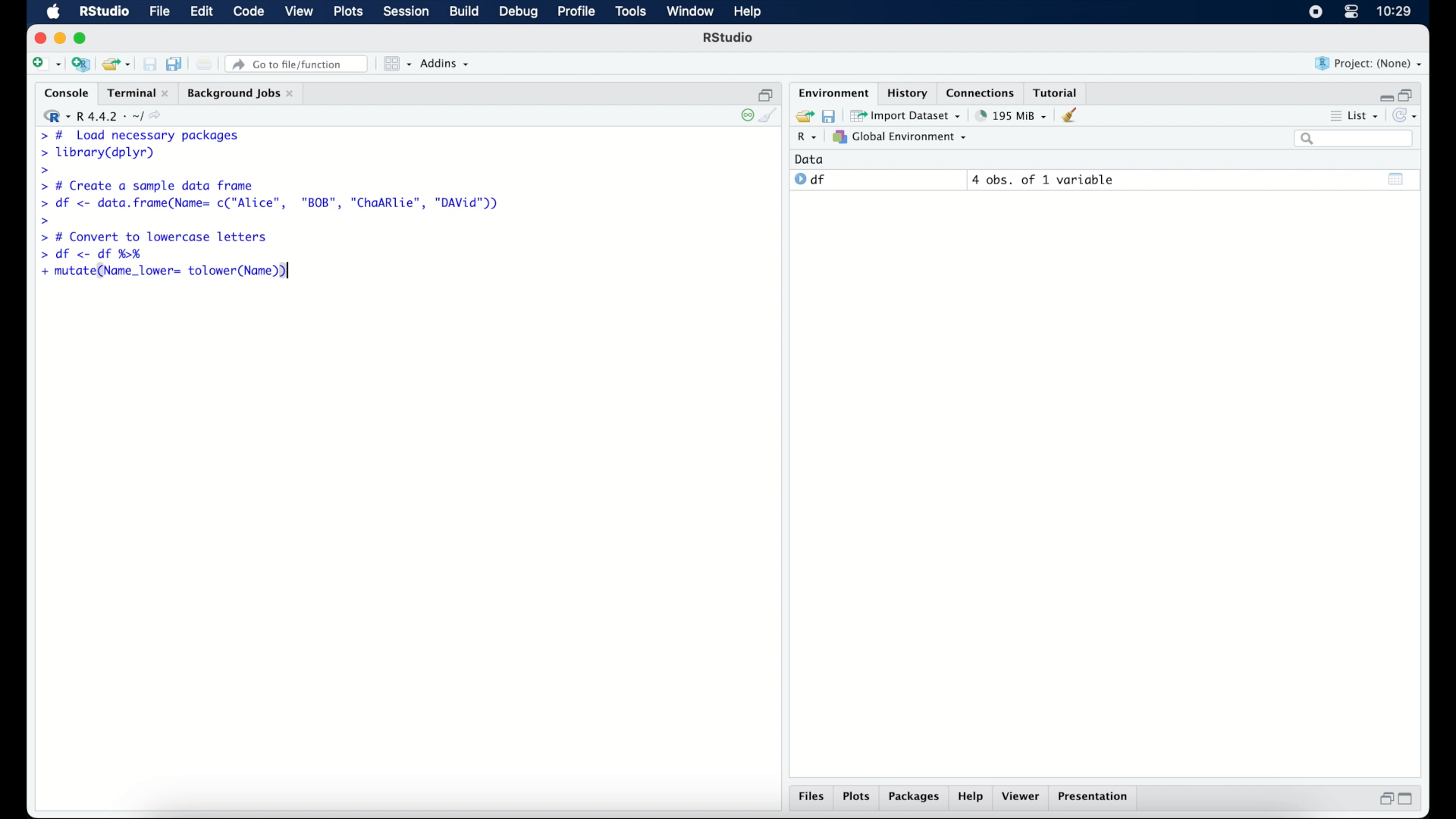 This screenshot has width=1456, height=819. What do you see at coordinates (831, 92) in the screenshot?
I see `environment` at bounding box center [831, 92].